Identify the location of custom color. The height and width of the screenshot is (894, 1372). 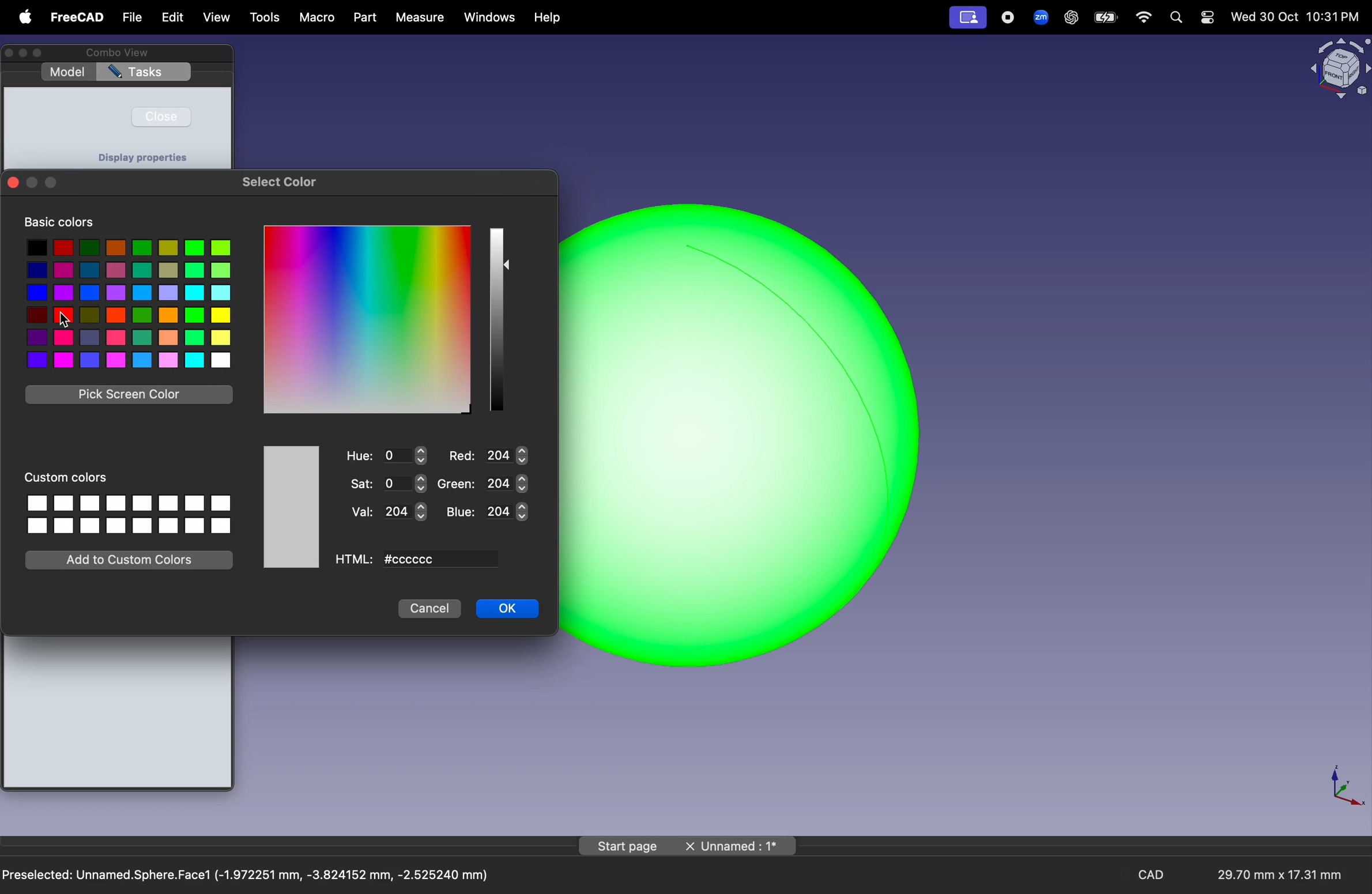
(72, 476).